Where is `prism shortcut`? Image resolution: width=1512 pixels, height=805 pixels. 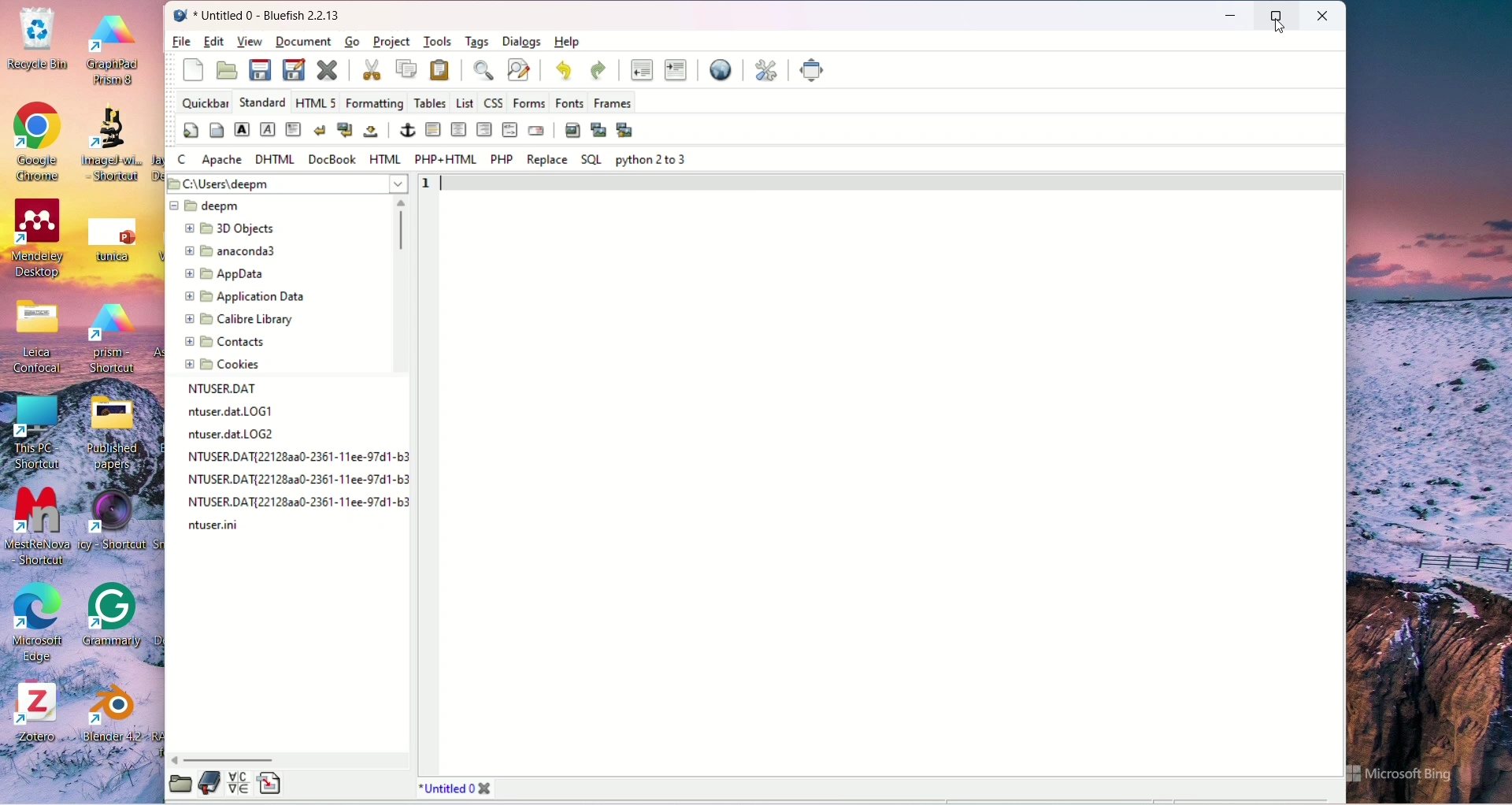 prism shortcut is located at coordinates (112, 339).